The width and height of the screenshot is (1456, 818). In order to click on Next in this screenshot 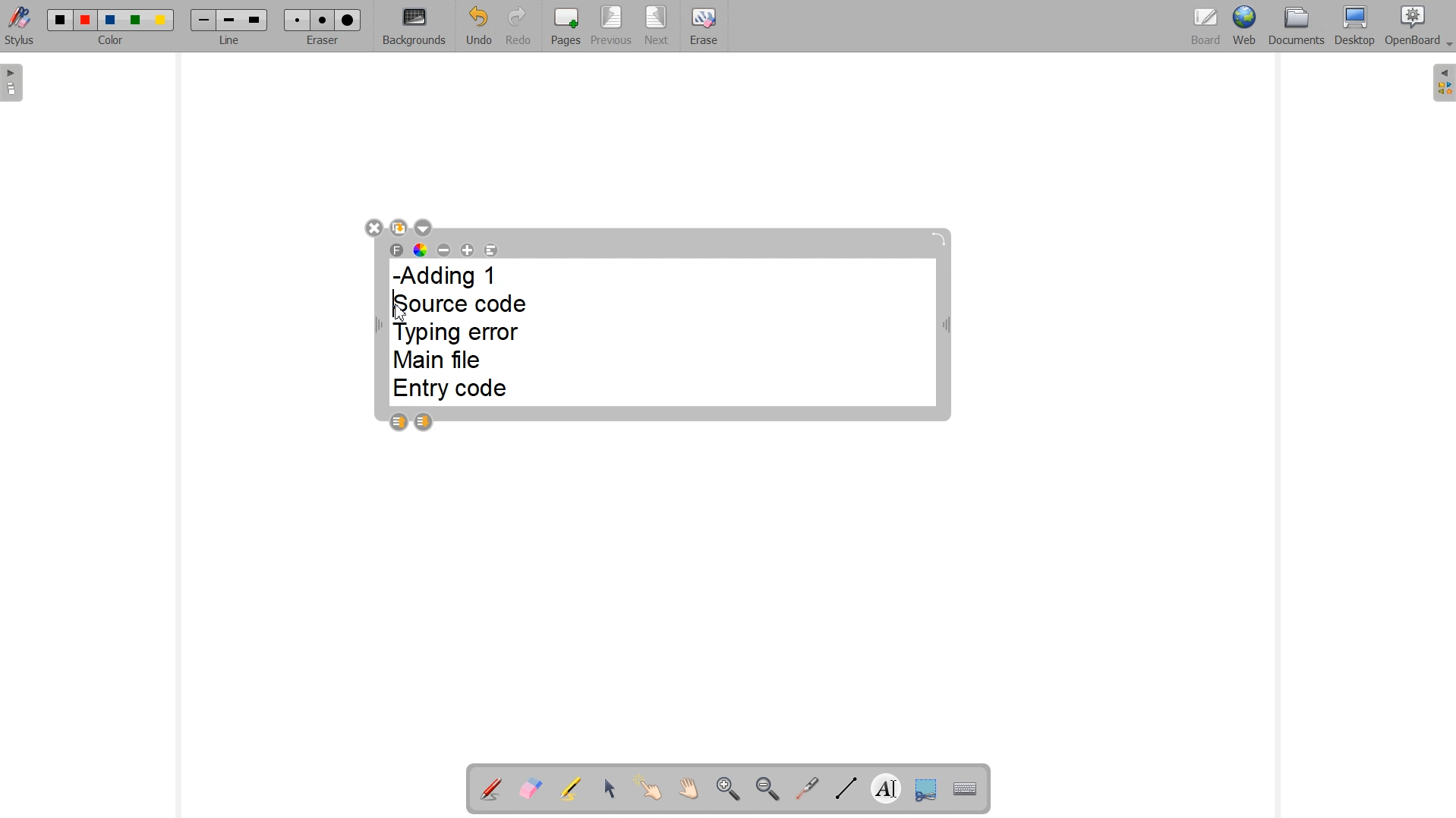, I will do `click(656, 25)`.